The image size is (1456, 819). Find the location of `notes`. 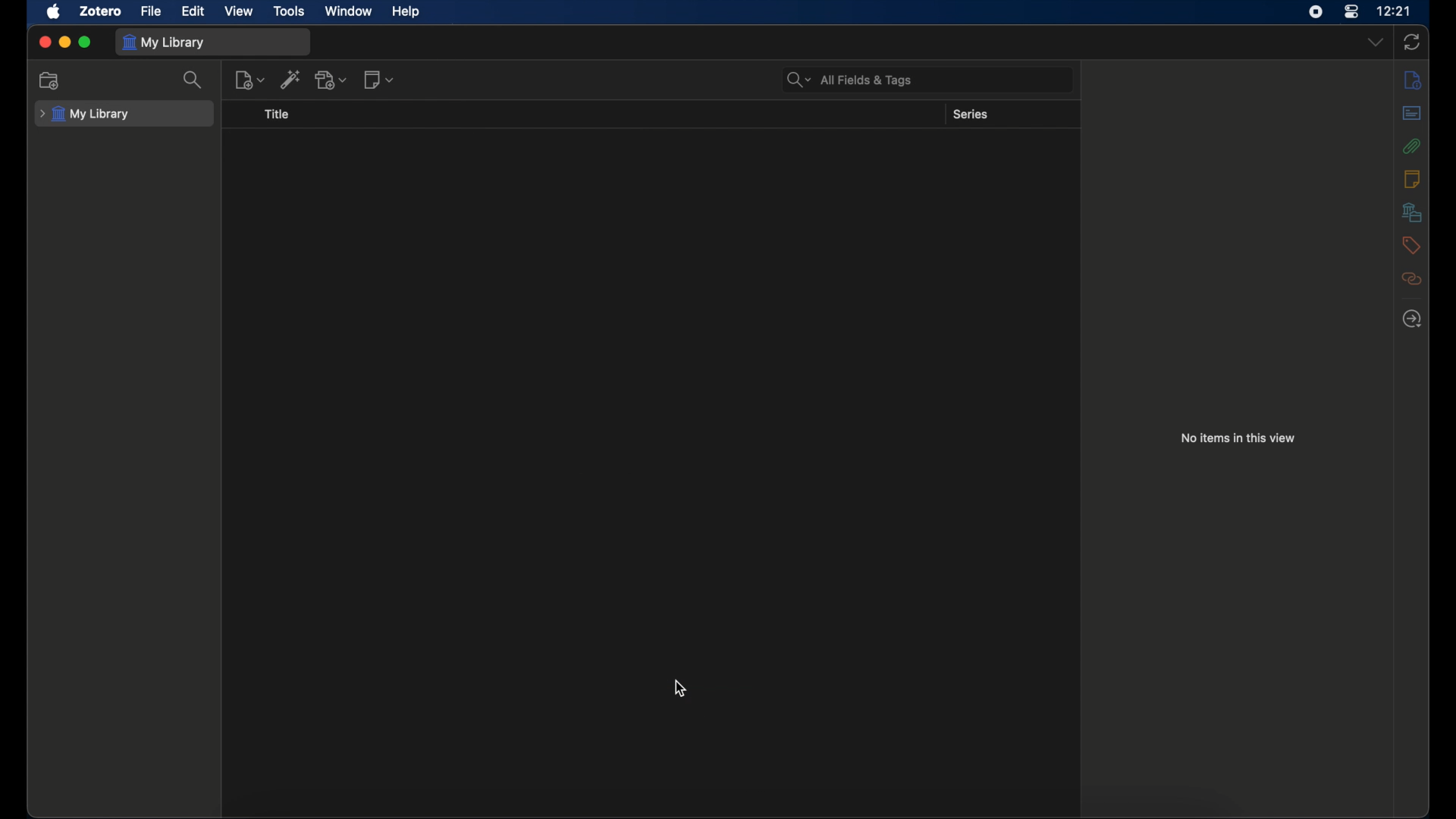

notes is located at coordinates (1412, 179).